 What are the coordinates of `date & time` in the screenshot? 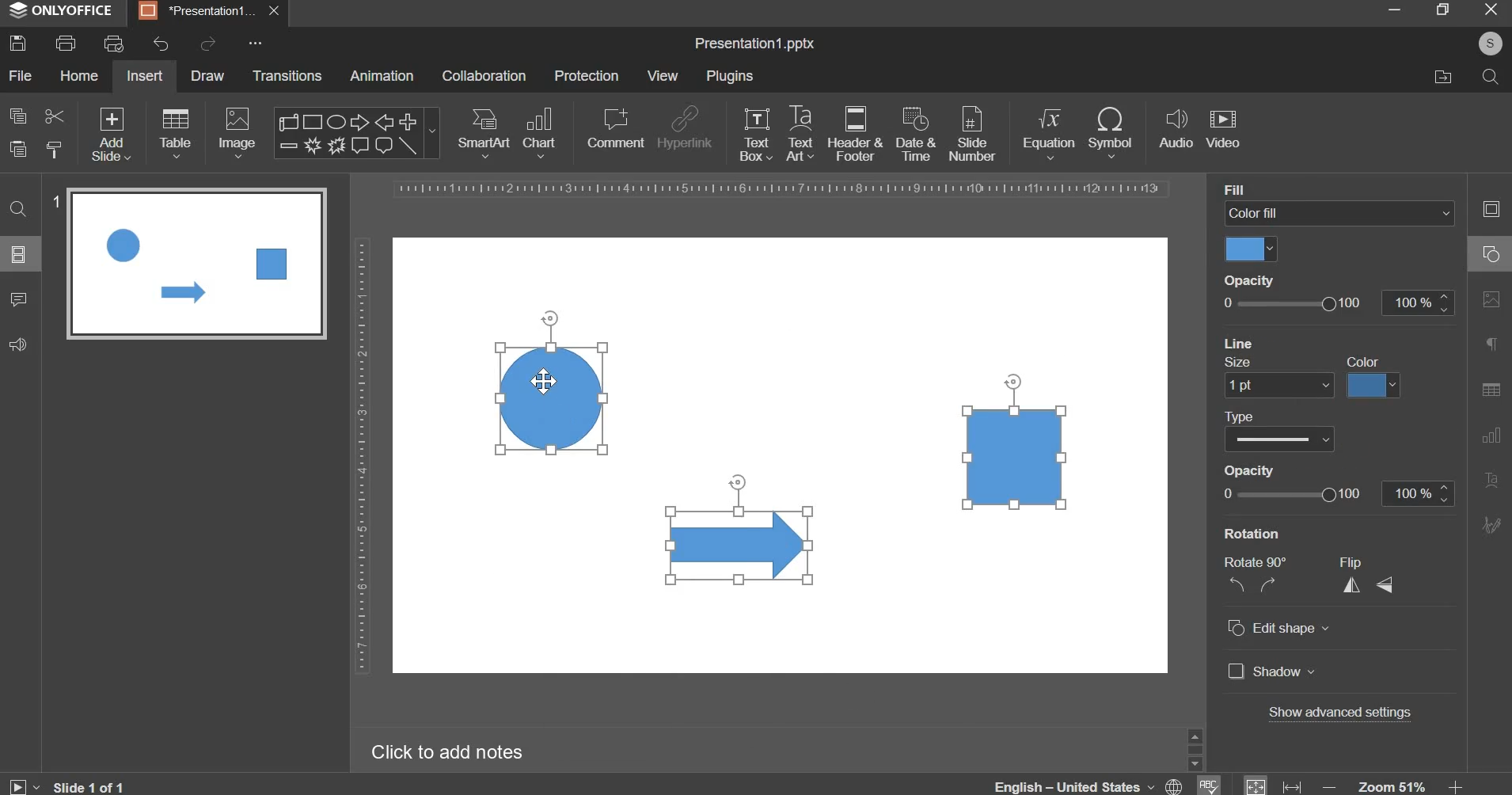 It's located at (916, 134).